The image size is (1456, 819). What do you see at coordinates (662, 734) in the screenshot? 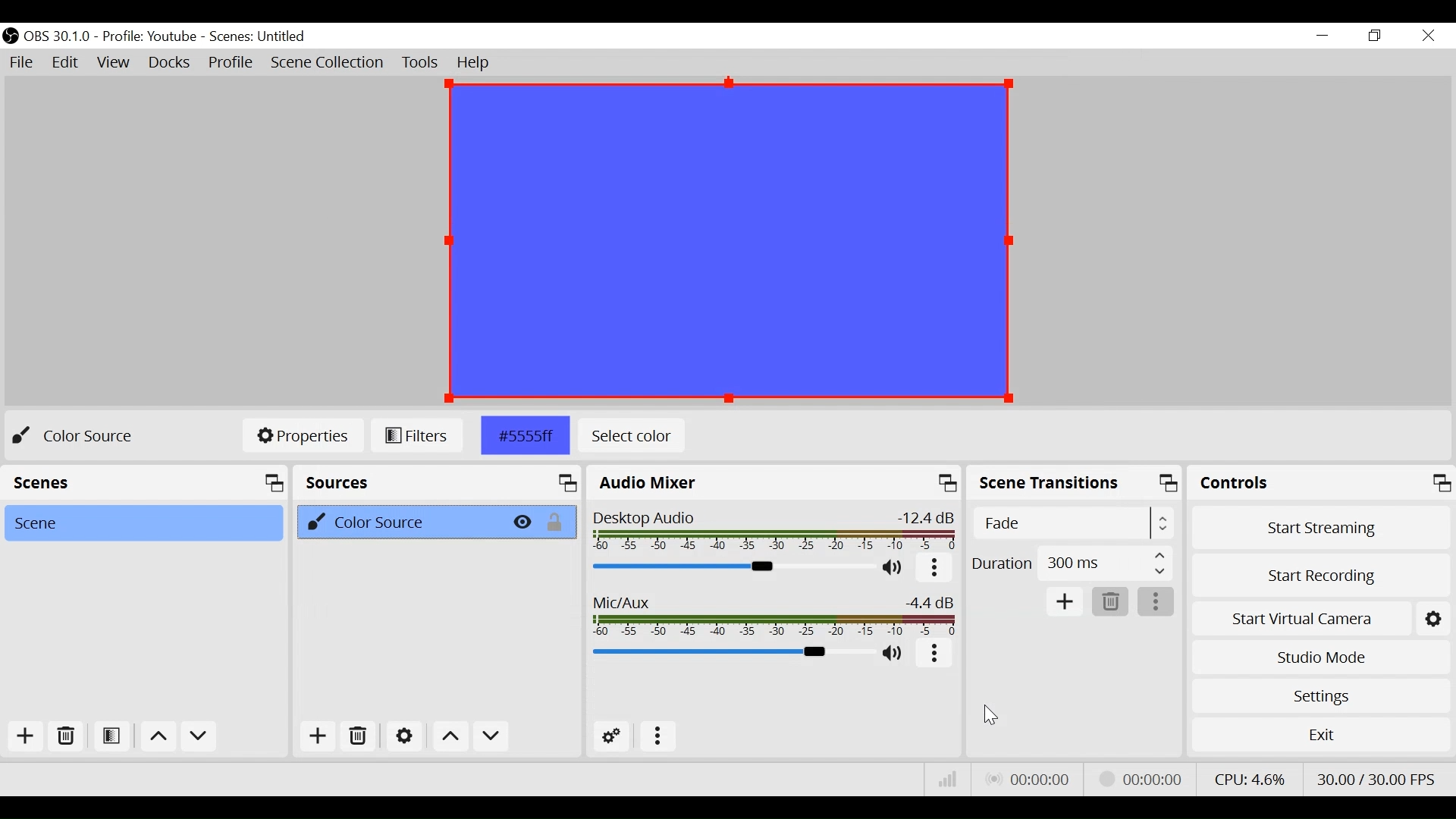
I see `More Options` at bounding box center [662, 734].